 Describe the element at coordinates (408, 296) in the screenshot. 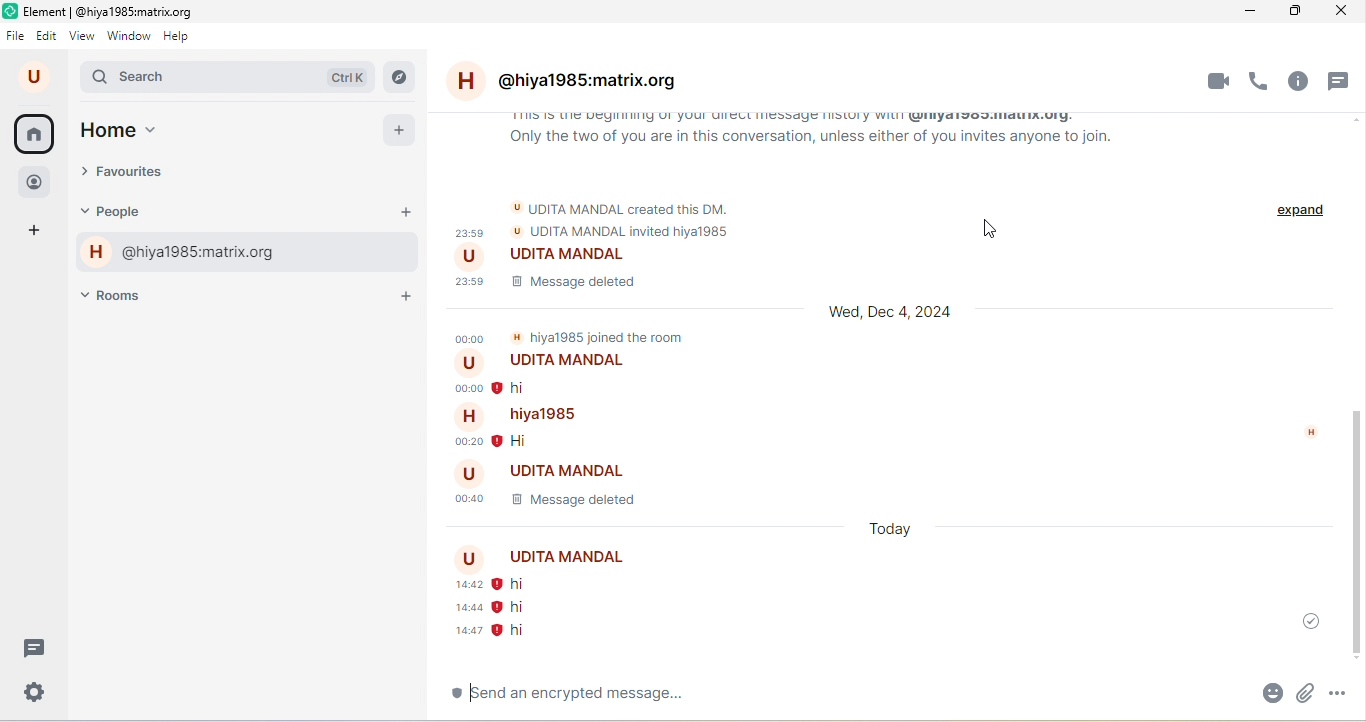

I see `add room` at that location.